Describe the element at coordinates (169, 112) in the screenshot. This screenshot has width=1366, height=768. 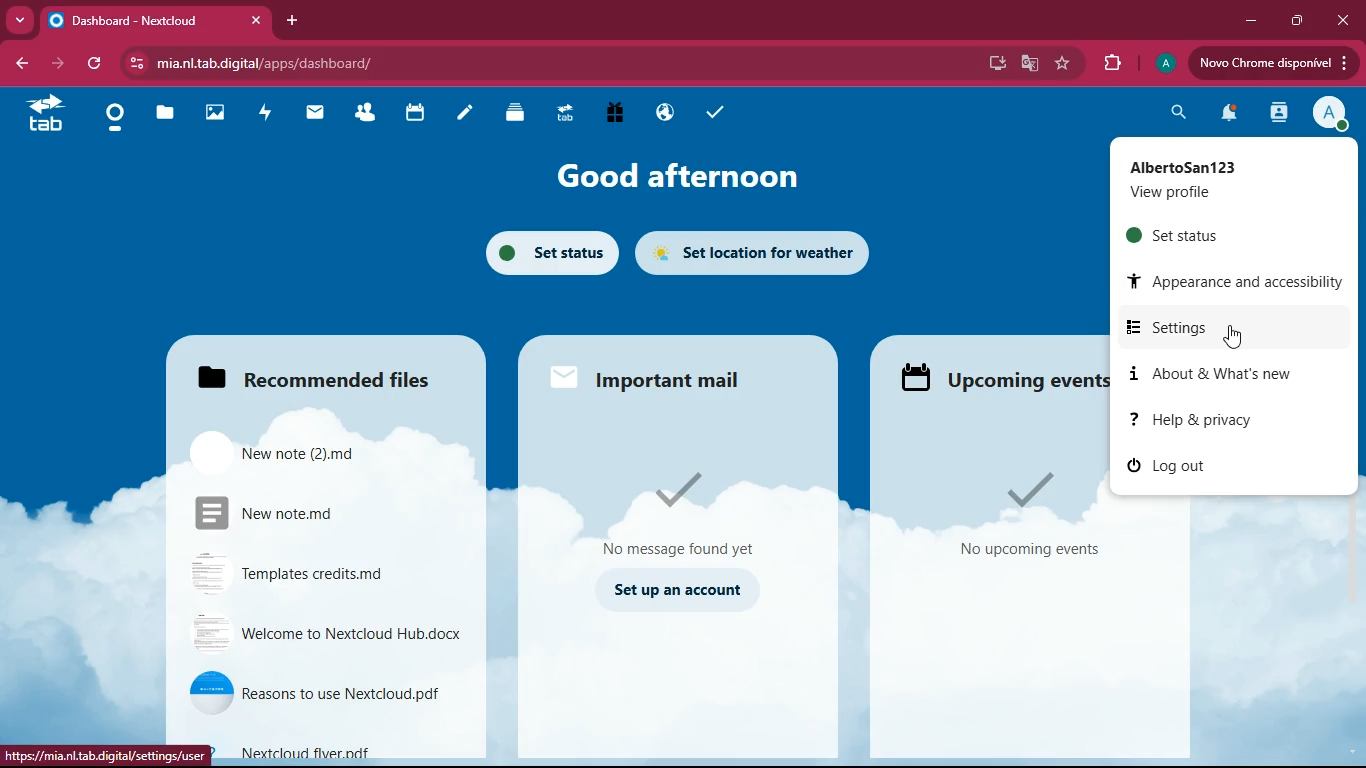
I see `files` at that location.